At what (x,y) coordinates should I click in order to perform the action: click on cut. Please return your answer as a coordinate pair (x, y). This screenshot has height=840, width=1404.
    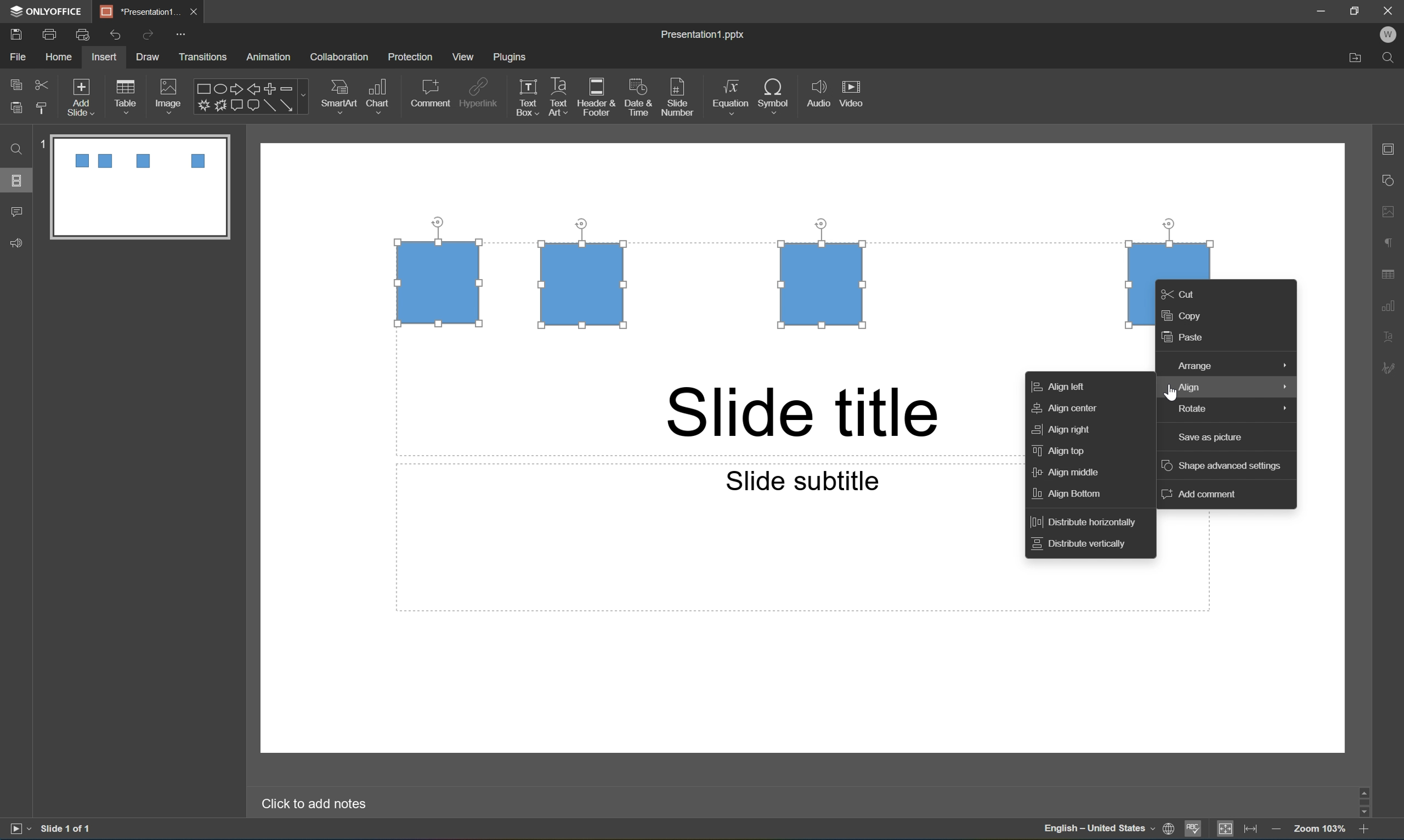
    Looking at the image, I should click on (41, 83).